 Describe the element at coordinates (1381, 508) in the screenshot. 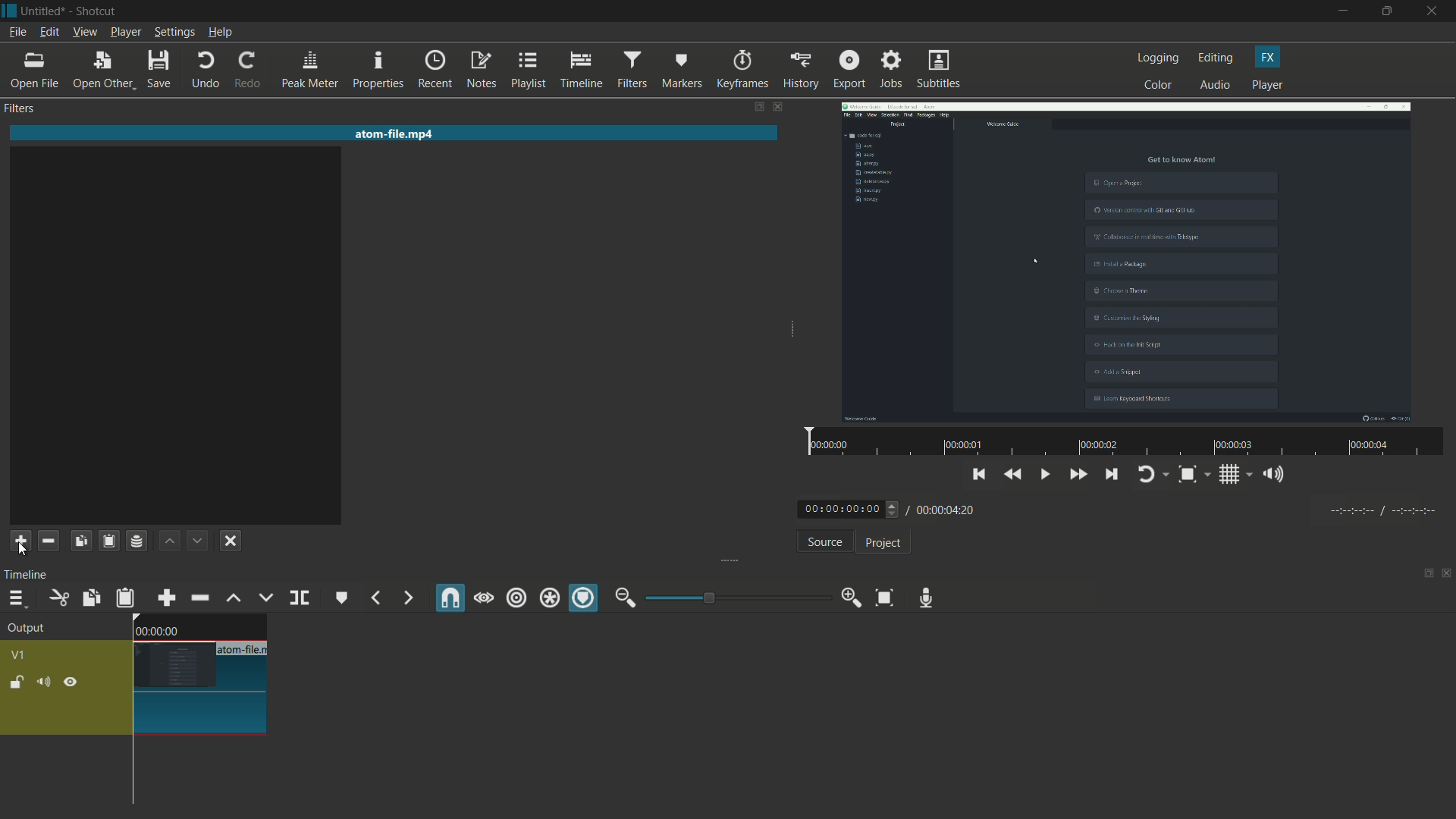

I see `timecodes` at that location.